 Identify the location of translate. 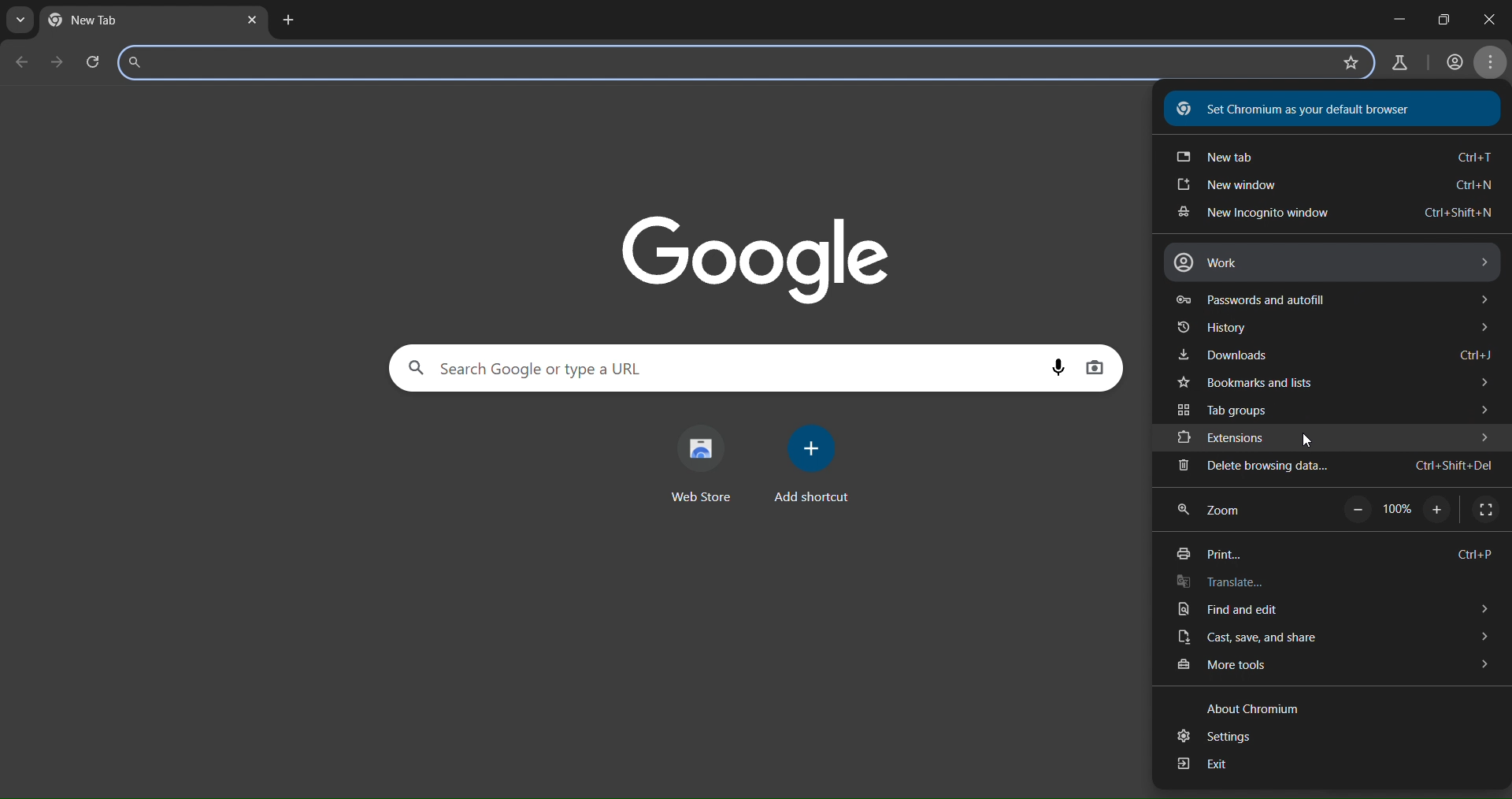
(1223, 582).